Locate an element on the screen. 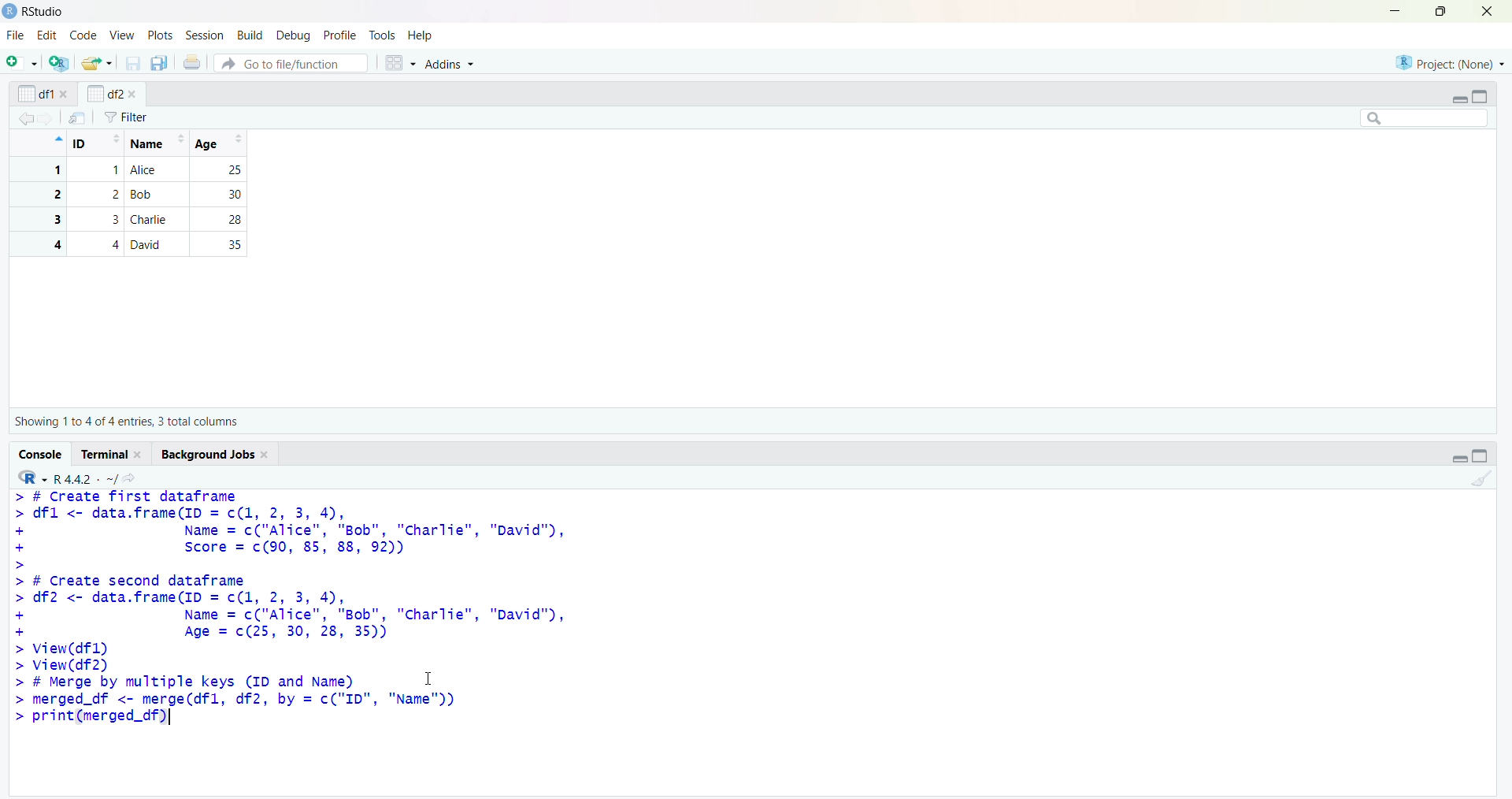  grid is located at coordinates (401, 63).